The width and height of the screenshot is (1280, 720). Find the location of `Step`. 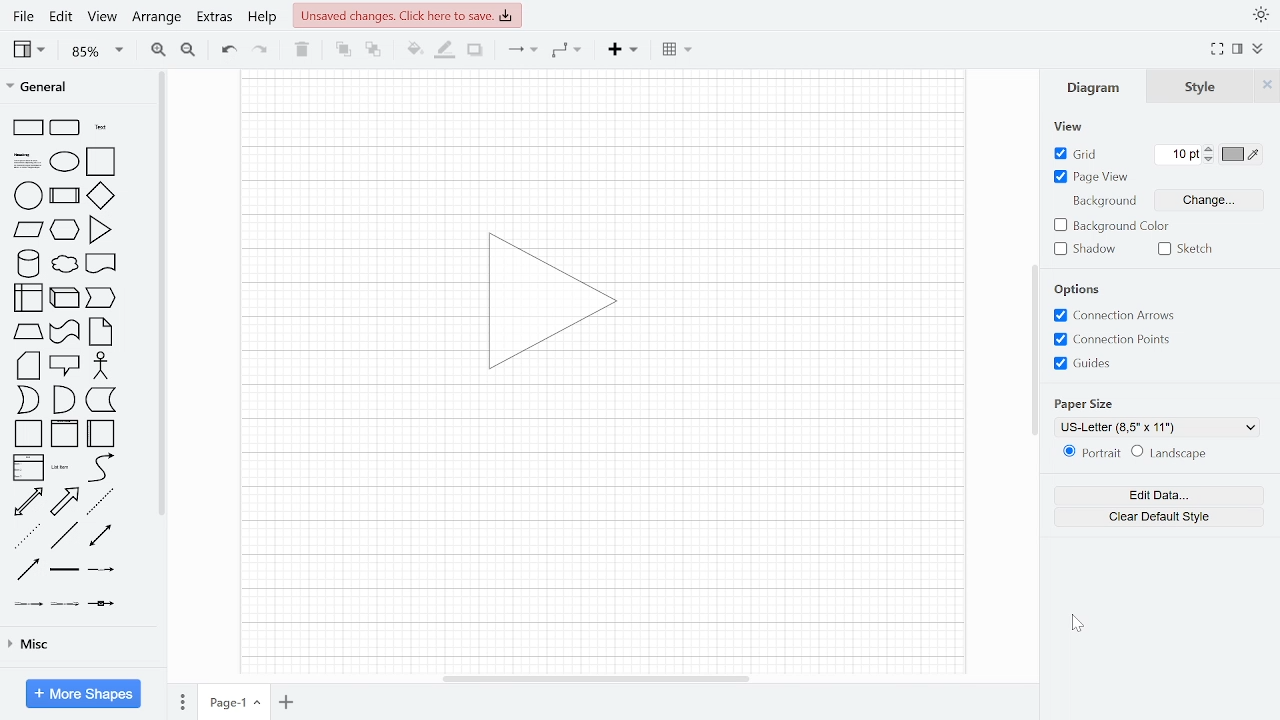

Step is located at coordinates (100, 298).